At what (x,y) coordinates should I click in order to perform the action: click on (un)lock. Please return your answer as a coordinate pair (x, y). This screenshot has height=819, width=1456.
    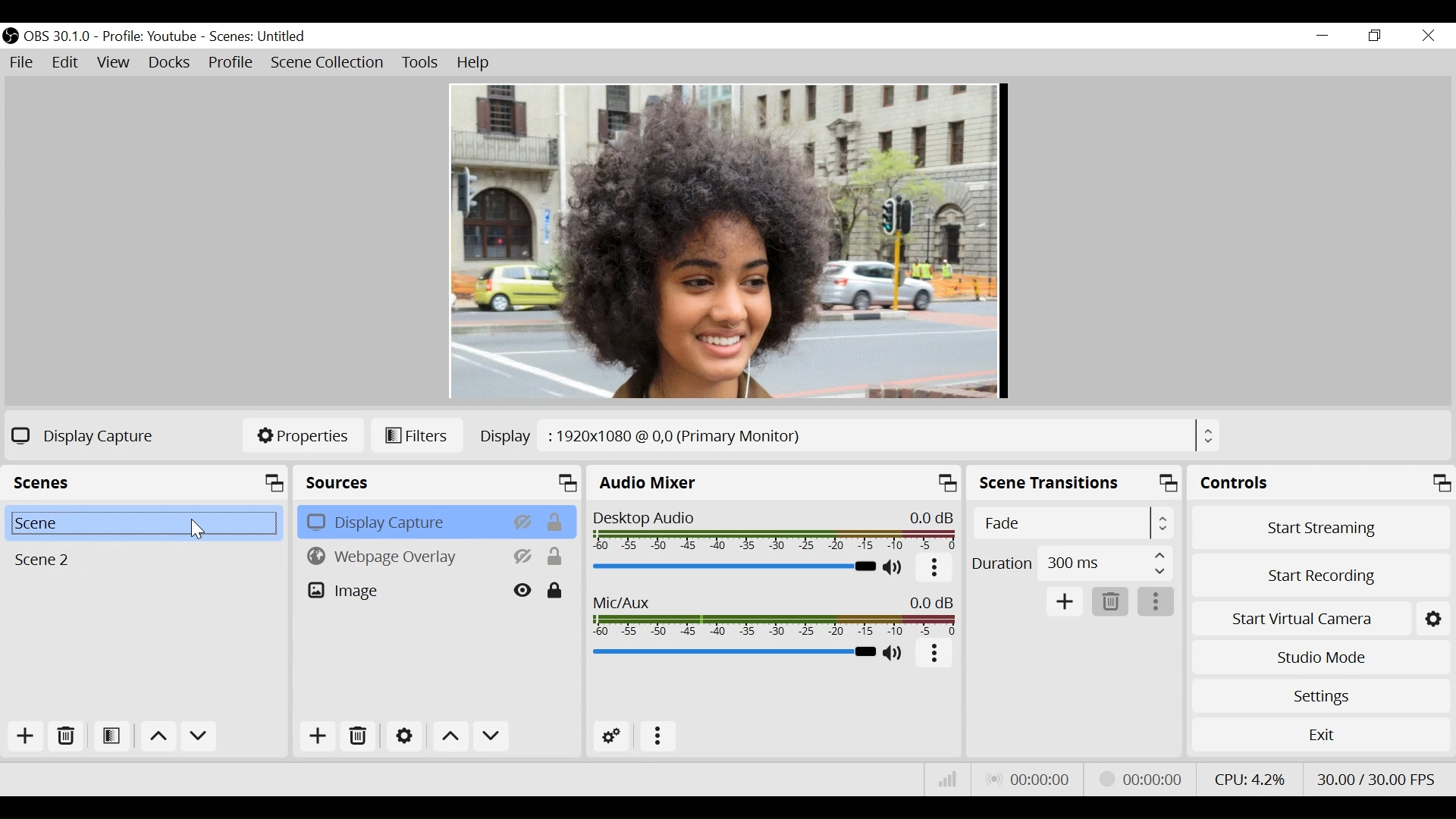
    Looking at the image, I should click on (556, 590).